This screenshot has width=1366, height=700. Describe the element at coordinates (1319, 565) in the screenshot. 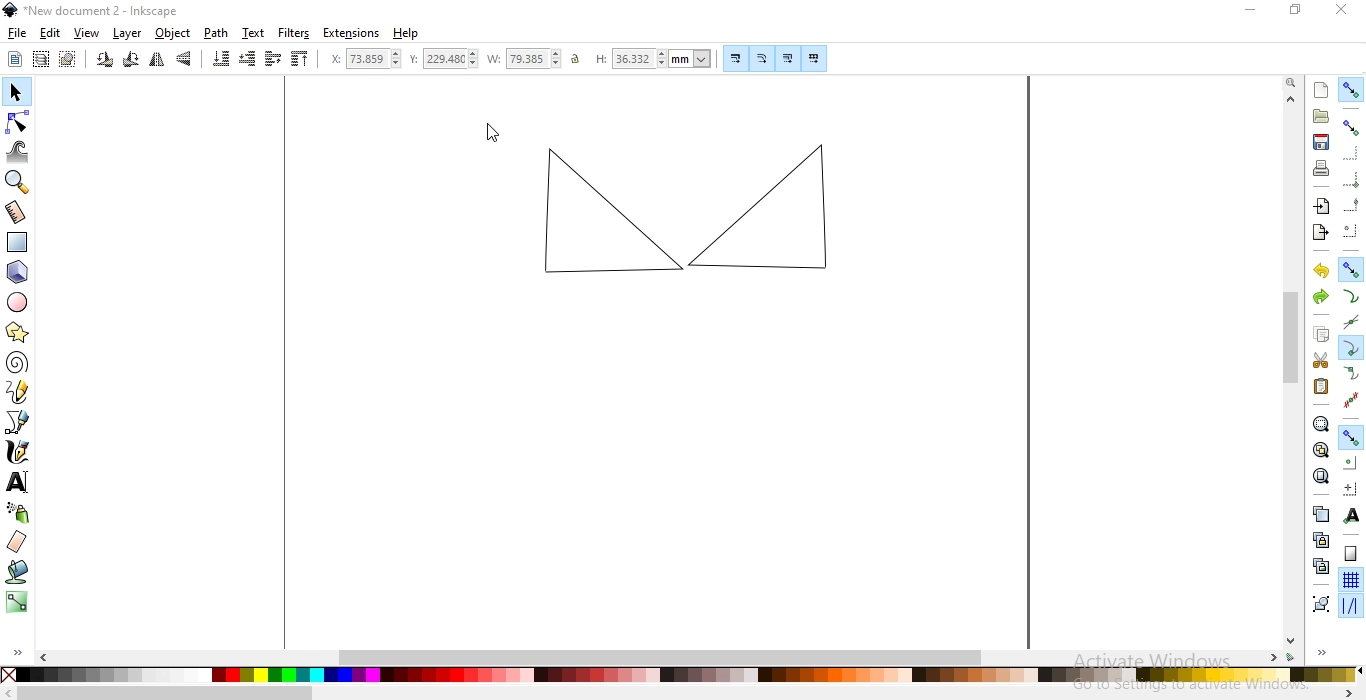

I see `cut the selected clone` at that location.